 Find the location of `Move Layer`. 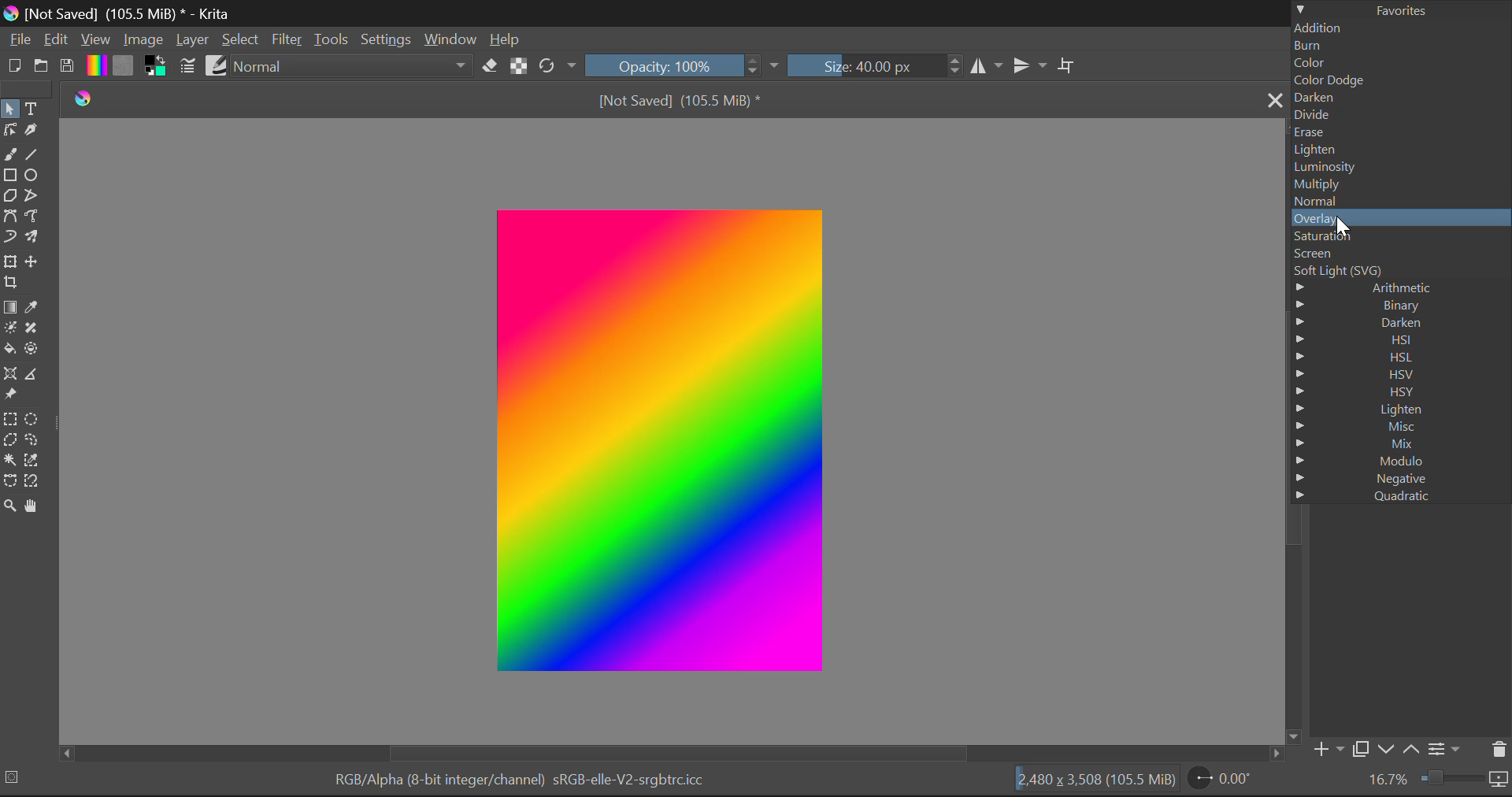

Move Layer is located at coordinates (35, 258).